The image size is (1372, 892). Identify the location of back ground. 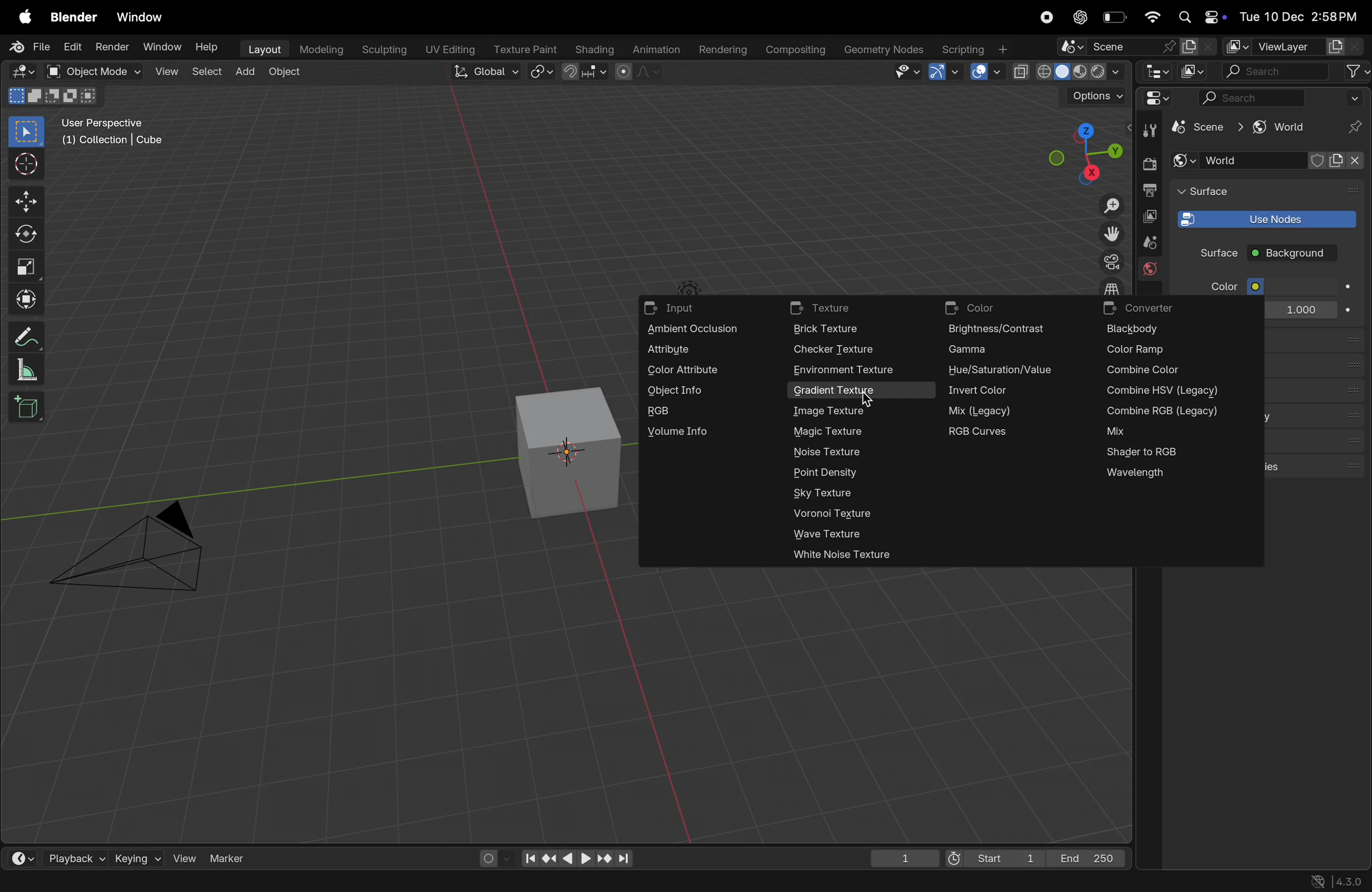
(1292, 255).